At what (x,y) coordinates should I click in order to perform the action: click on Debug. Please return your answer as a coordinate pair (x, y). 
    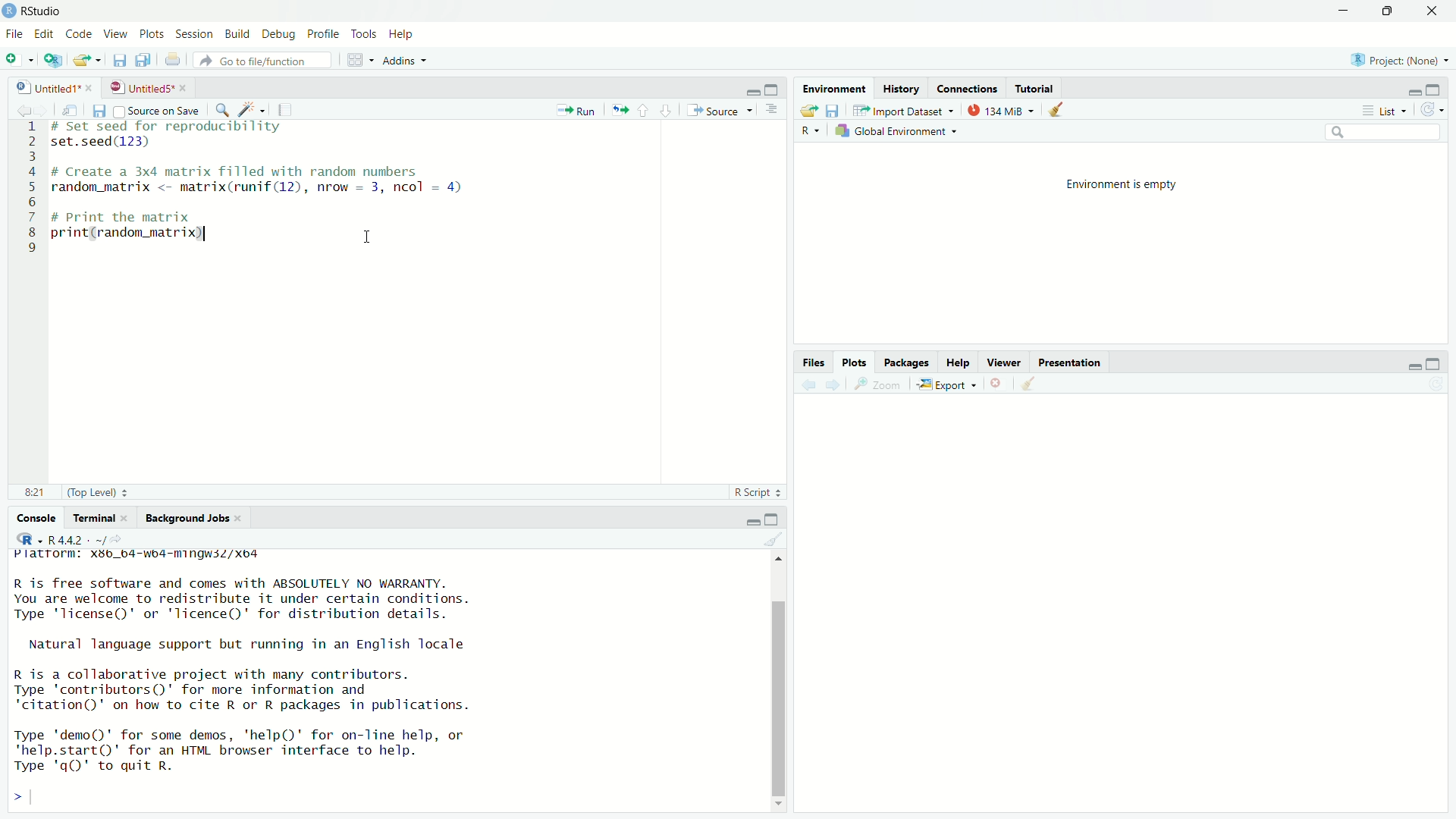
    Looking at the image, I should click on (279, 33).